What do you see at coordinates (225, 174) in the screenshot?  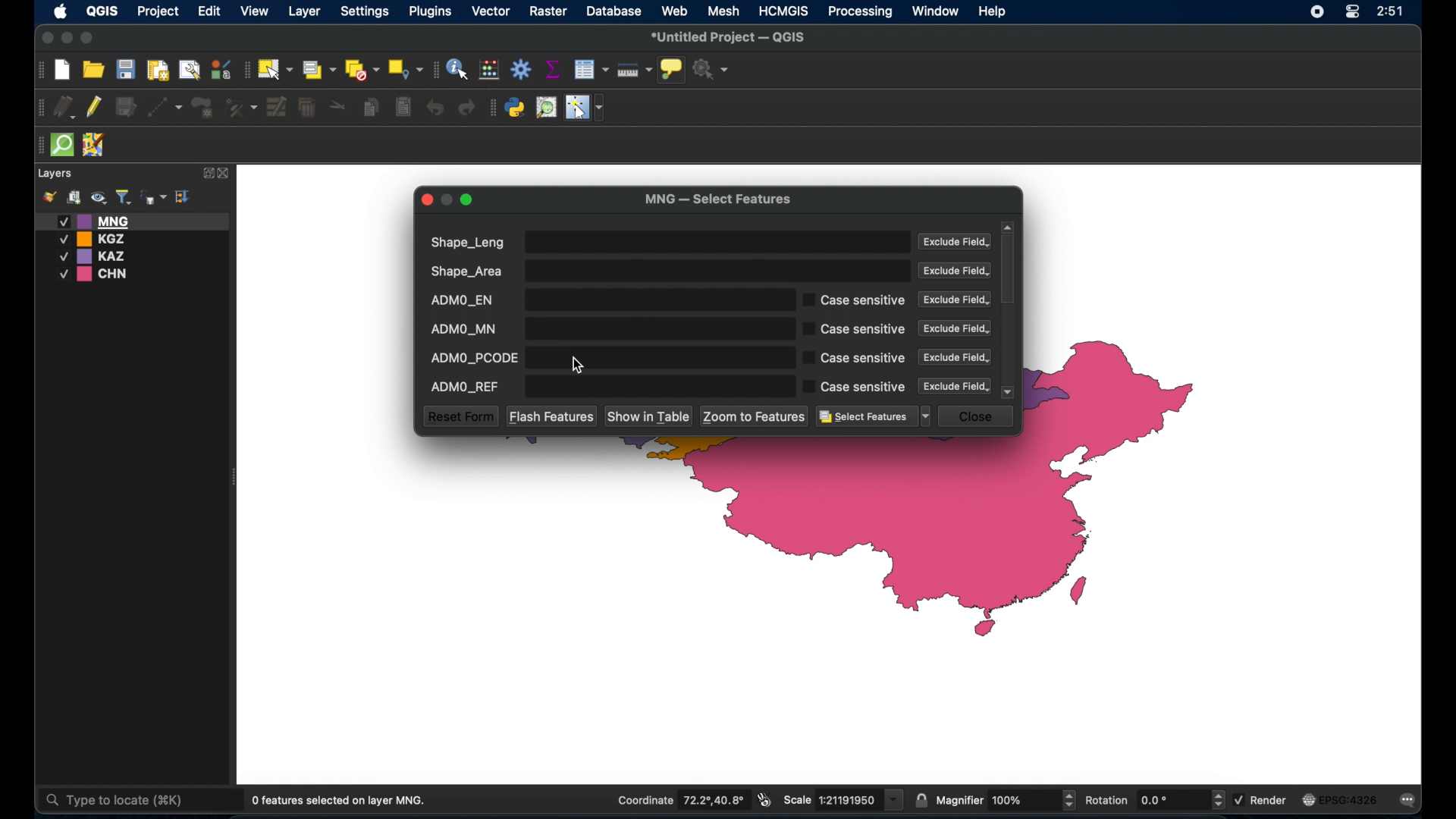 I see `close` at bounding box center [225, 174].